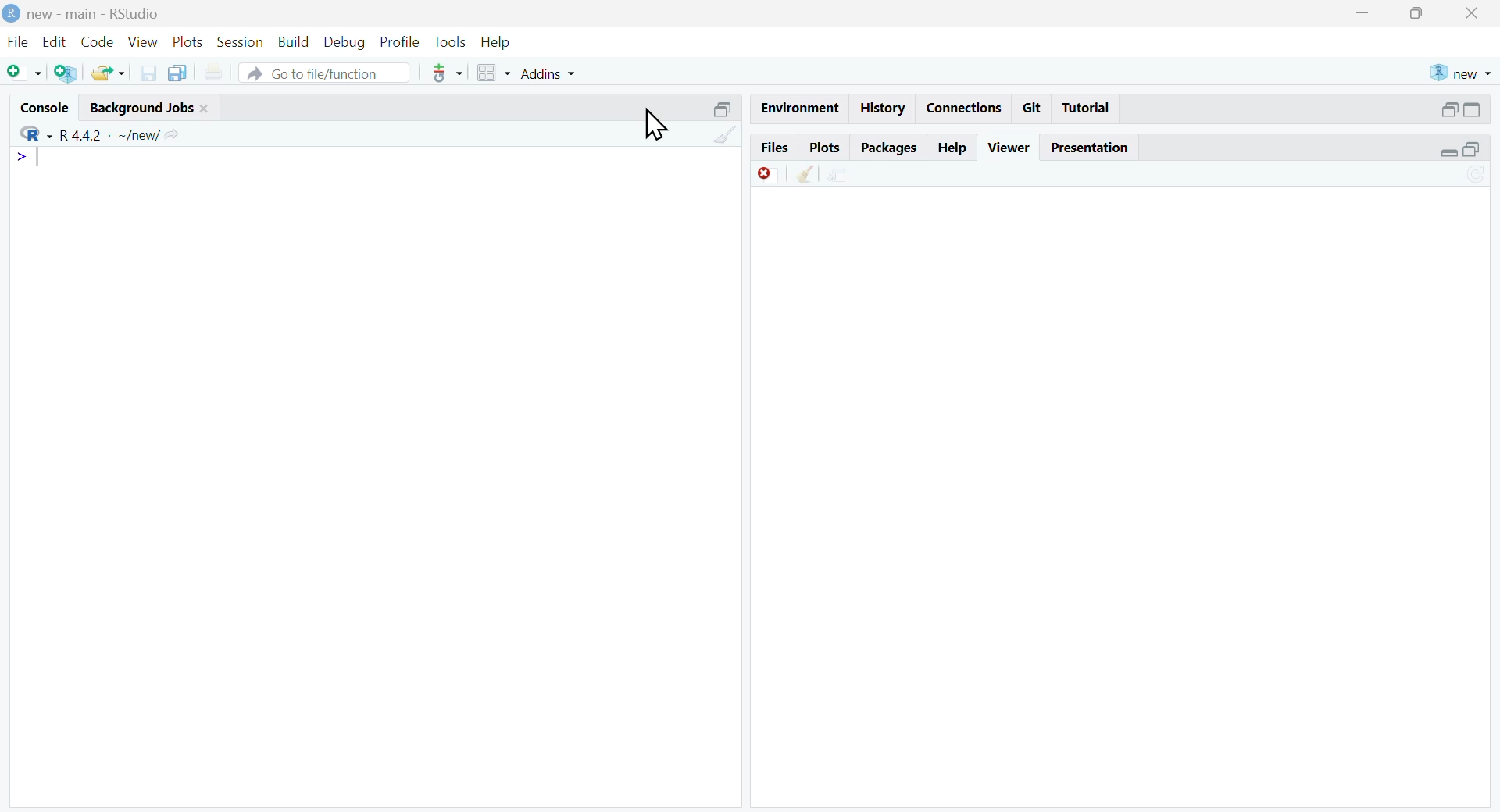 The width and height of the screenshot is (1500, 812). What do you see at coordinates (773, 148) in the screenshot?
I see `files` at bounding box center [773, 148].